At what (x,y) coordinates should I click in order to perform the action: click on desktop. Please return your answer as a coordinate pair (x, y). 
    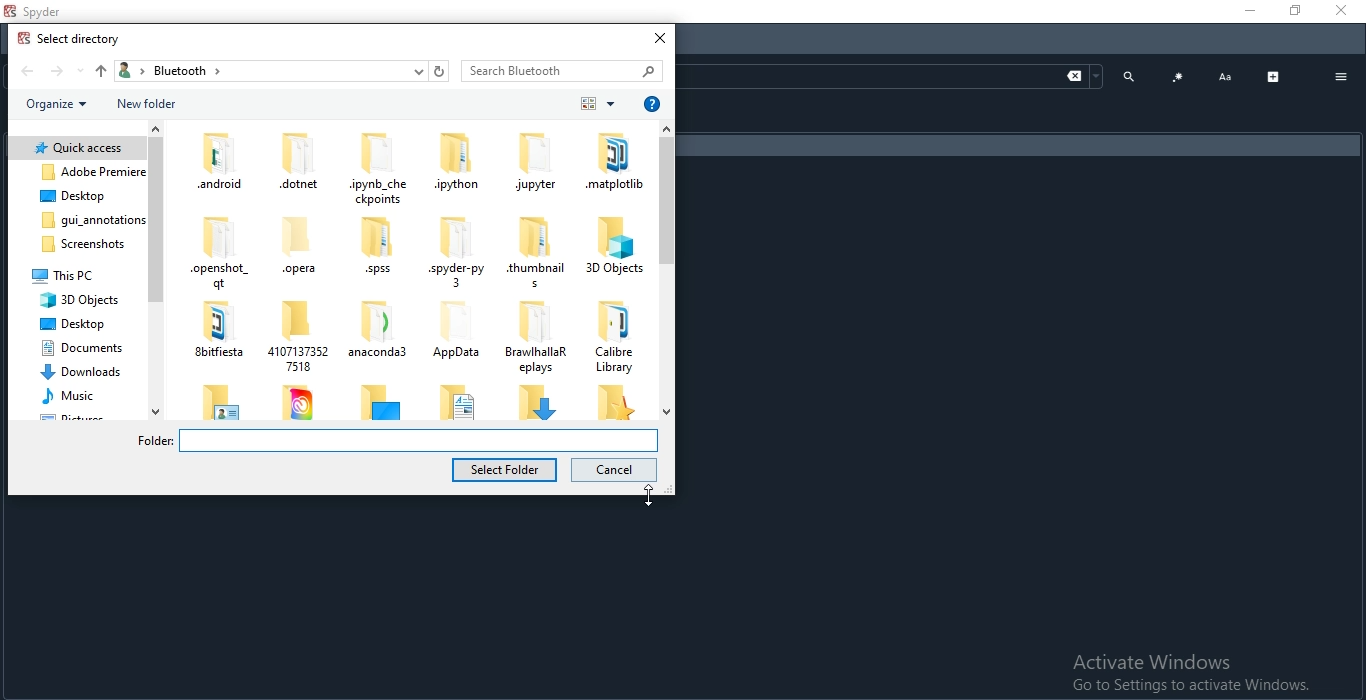
    Looking at the image, I should click on (79, 322).